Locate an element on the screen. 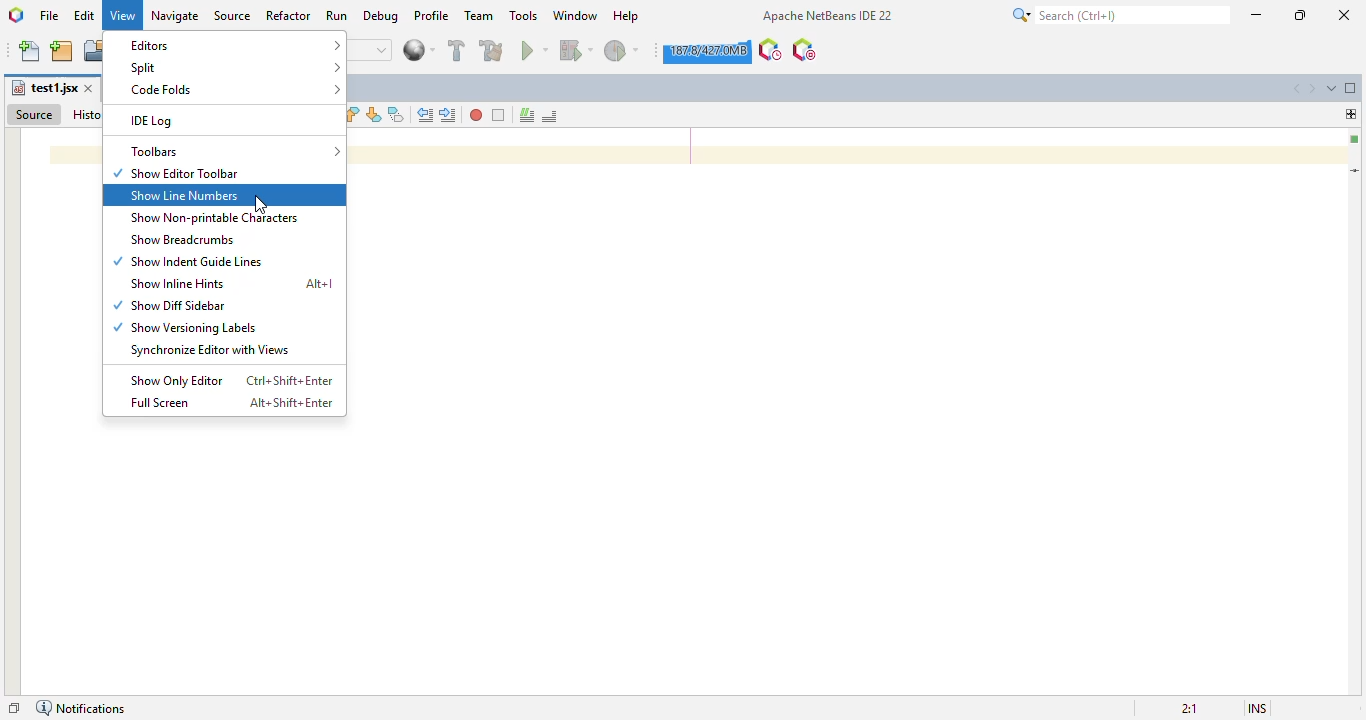 The height and width of the screenshot is (720, 1366). pause I/O checks is located at coordinates (804, 50).